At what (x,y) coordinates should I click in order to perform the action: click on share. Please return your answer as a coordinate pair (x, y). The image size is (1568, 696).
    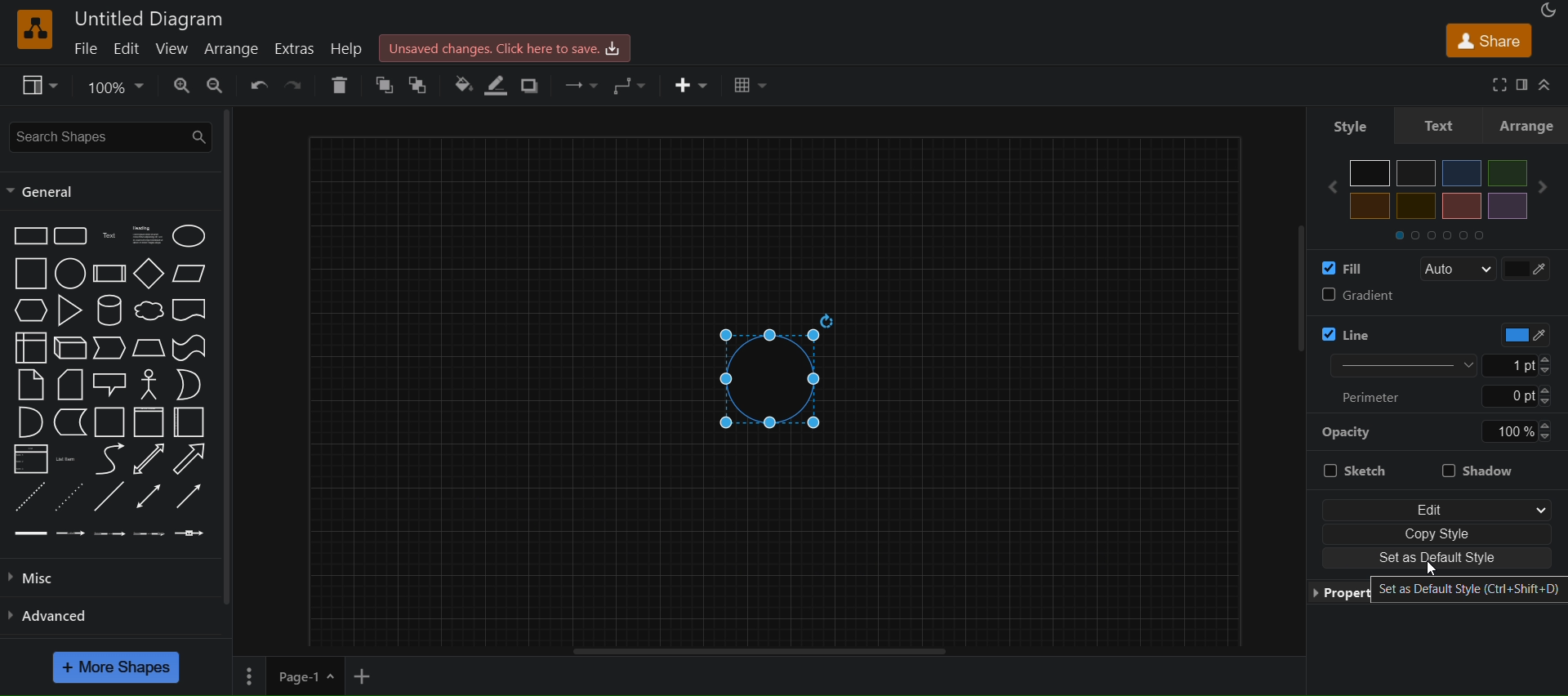
    Looking at the image, I should click on (1488, 39).